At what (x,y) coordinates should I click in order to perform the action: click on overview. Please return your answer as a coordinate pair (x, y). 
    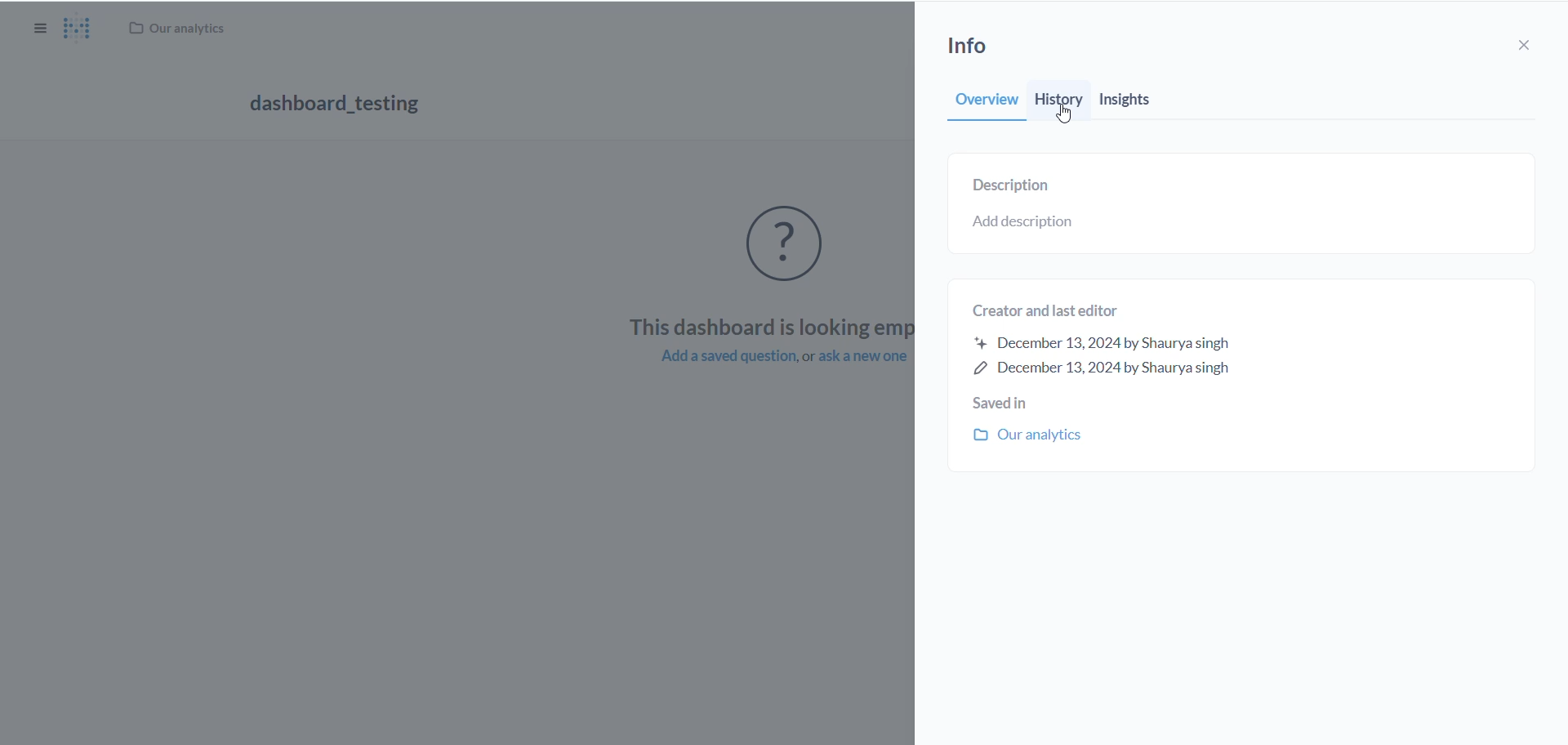
    Looking at the image, I should click on (984, 105).